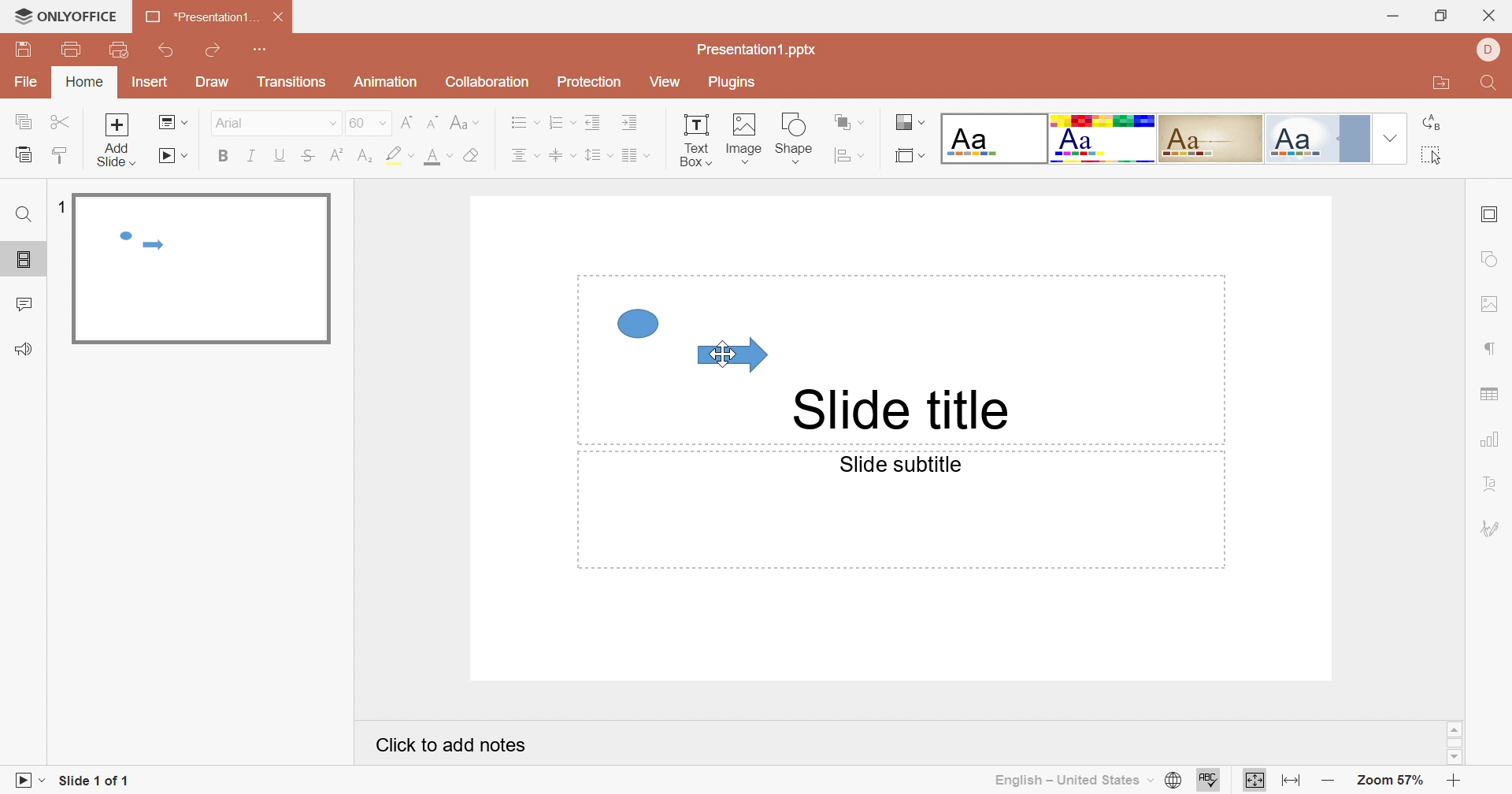 This screenshot has height=794, width=1512. What do you see at coordinates (1487, 84) in the screenshot?
I see `Find` at bounding box center [1487, 84].